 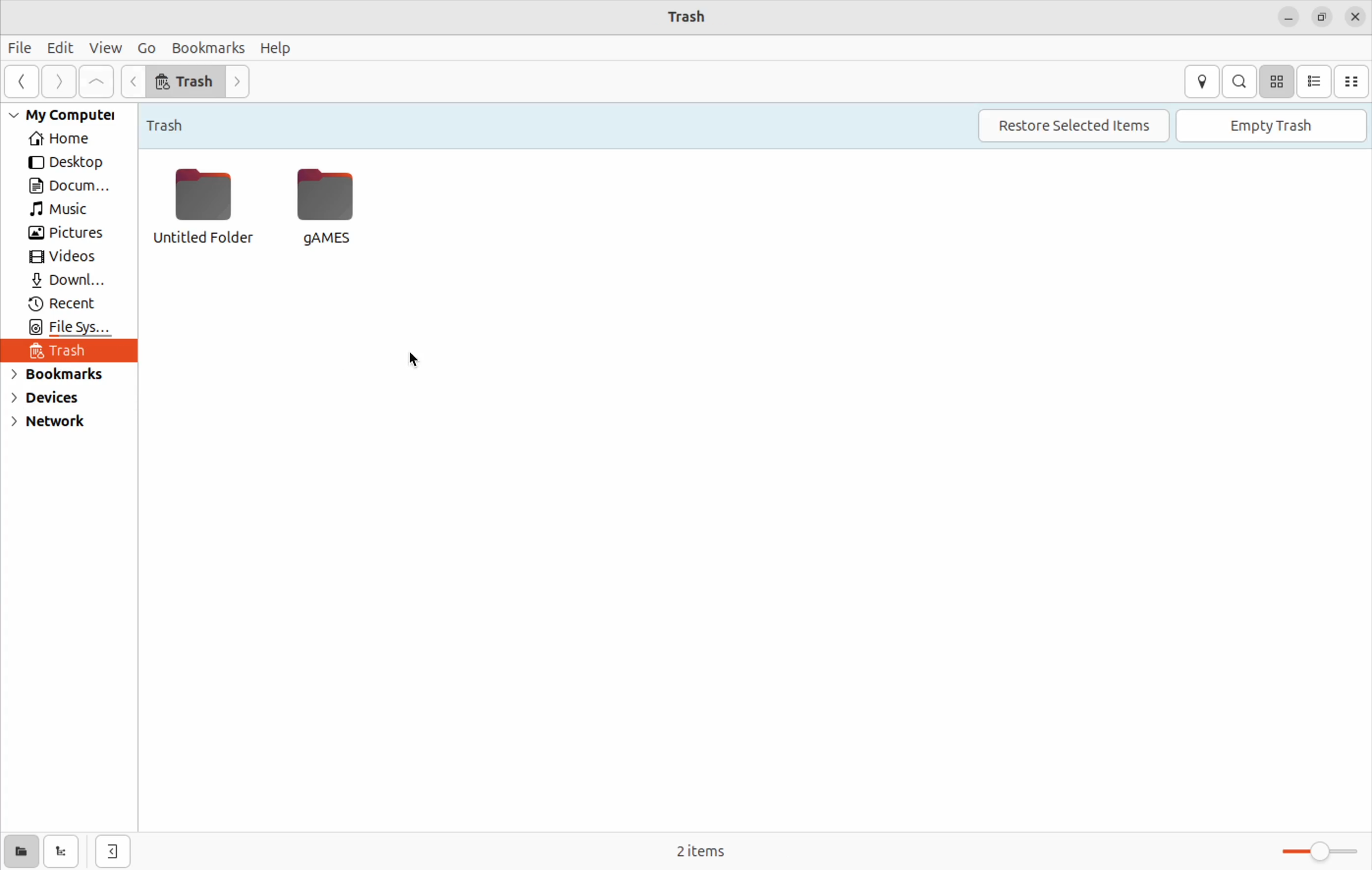 I want to click on recent, so click(x=67, y=306).